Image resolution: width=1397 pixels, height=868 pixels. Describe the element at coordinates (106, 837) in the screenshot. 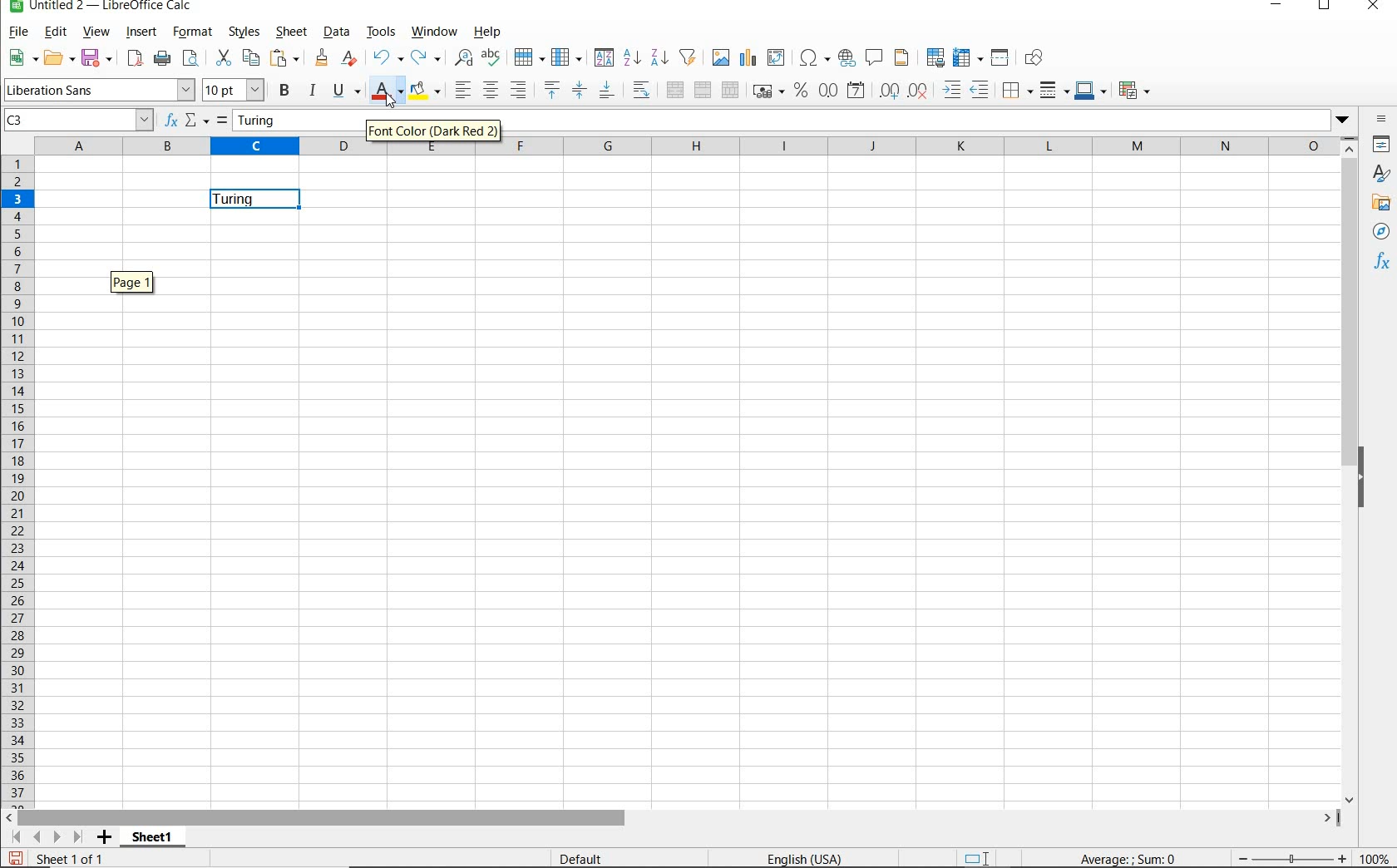

I see `ADD SHEET` at that location.